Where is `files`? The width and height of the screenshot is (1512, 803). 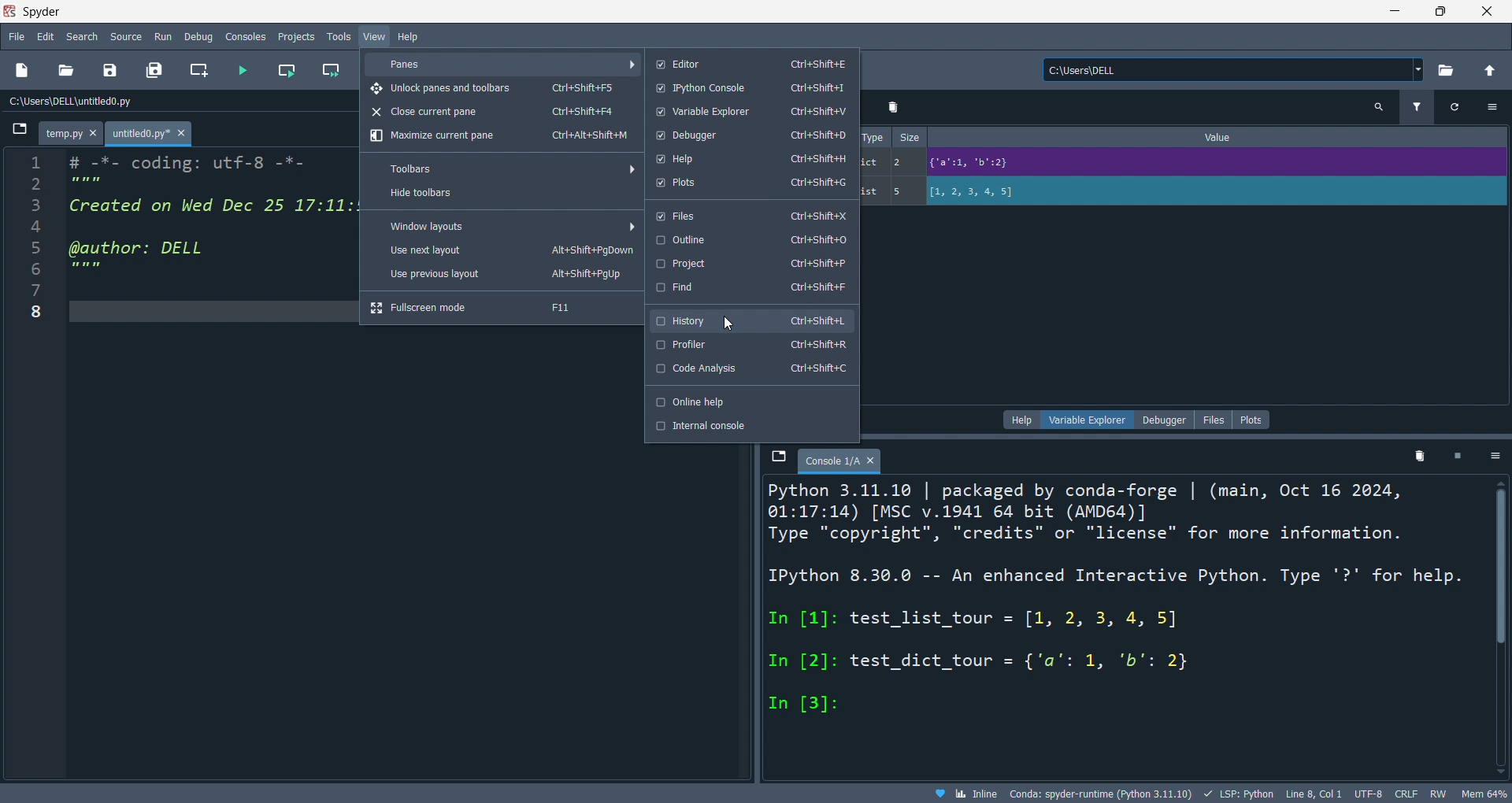 files is located at coordinates (750, 214).